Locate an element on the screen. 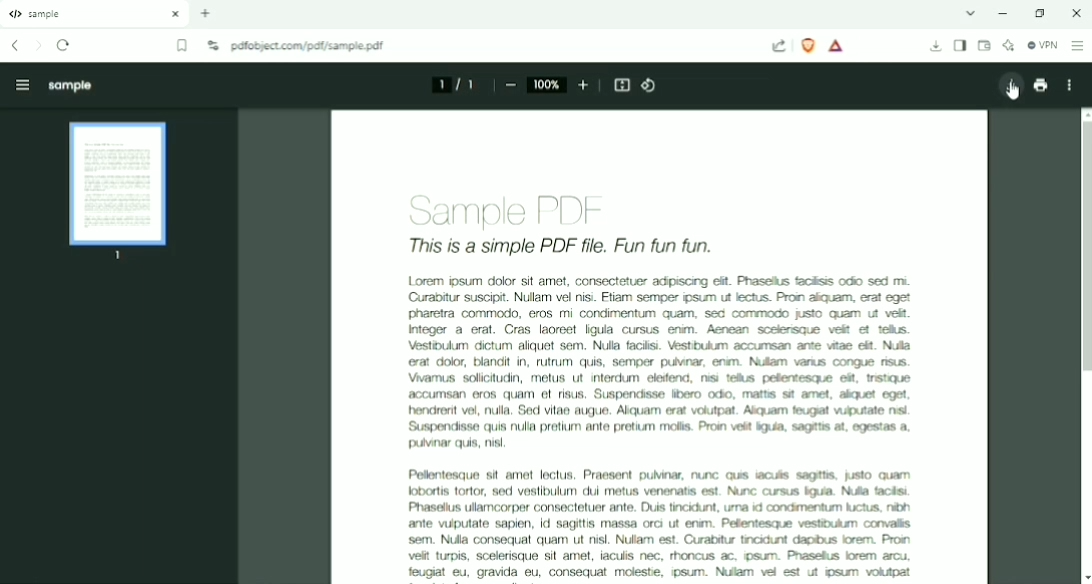 This screenshot has width=1092, height=584. Page is located at coordinates (119, 192).